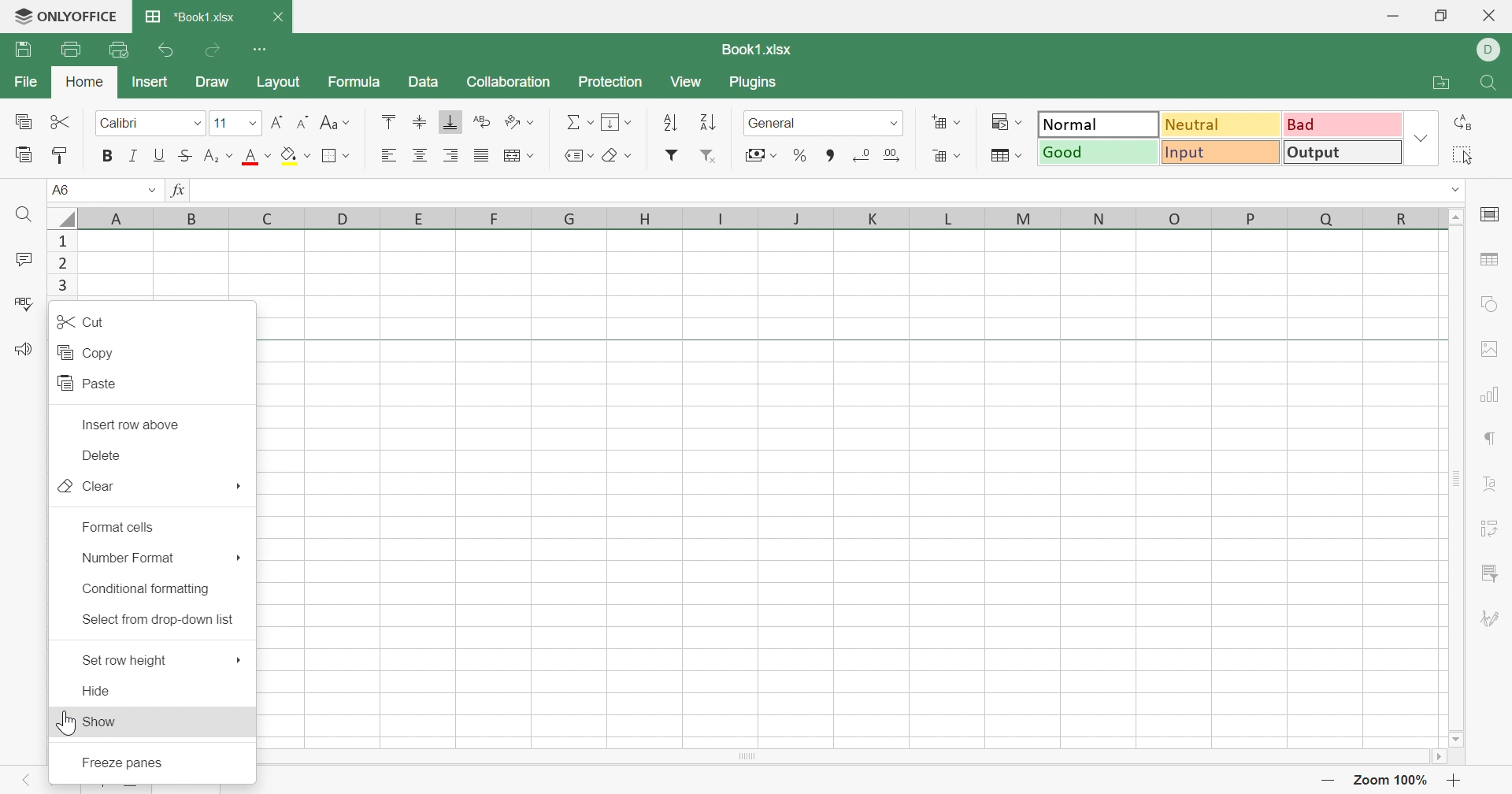 The height and width of the screenshot is (794, 1512). What do you see at coordinates (133, 780) in the screenshot?
I see `` at bounding box center [133, 780].